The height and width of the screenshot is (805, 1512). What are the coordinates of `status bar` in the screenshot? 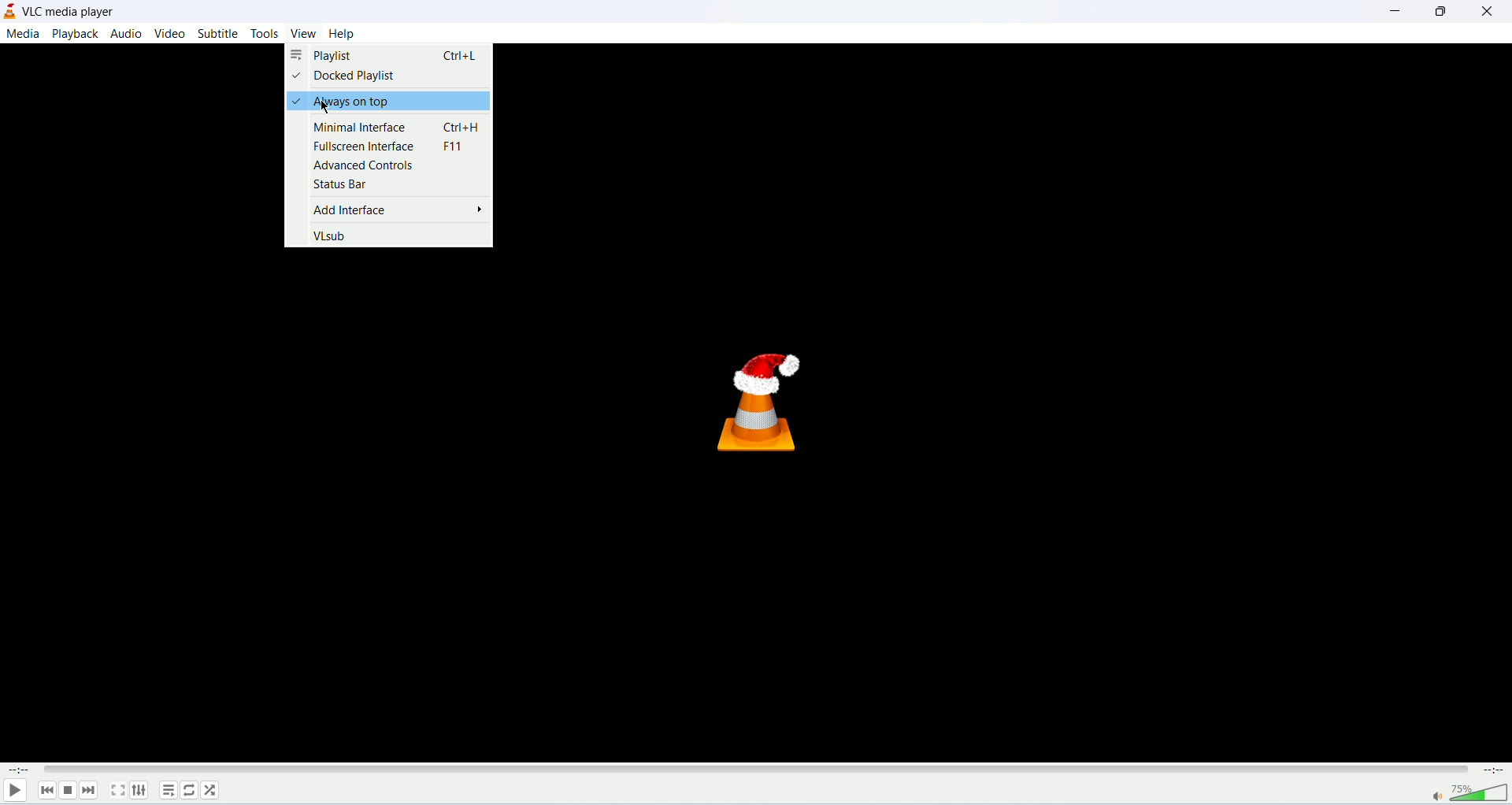 It's located at (343, 185).